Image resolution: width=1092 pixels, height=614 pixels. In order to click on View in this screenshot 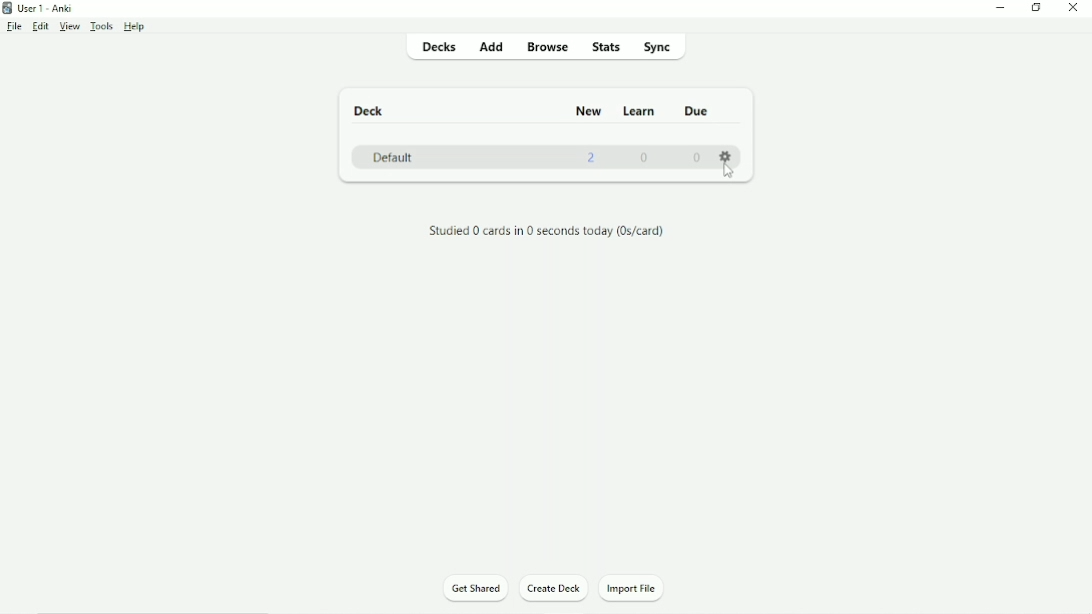, I will do `click(70, 27)`.